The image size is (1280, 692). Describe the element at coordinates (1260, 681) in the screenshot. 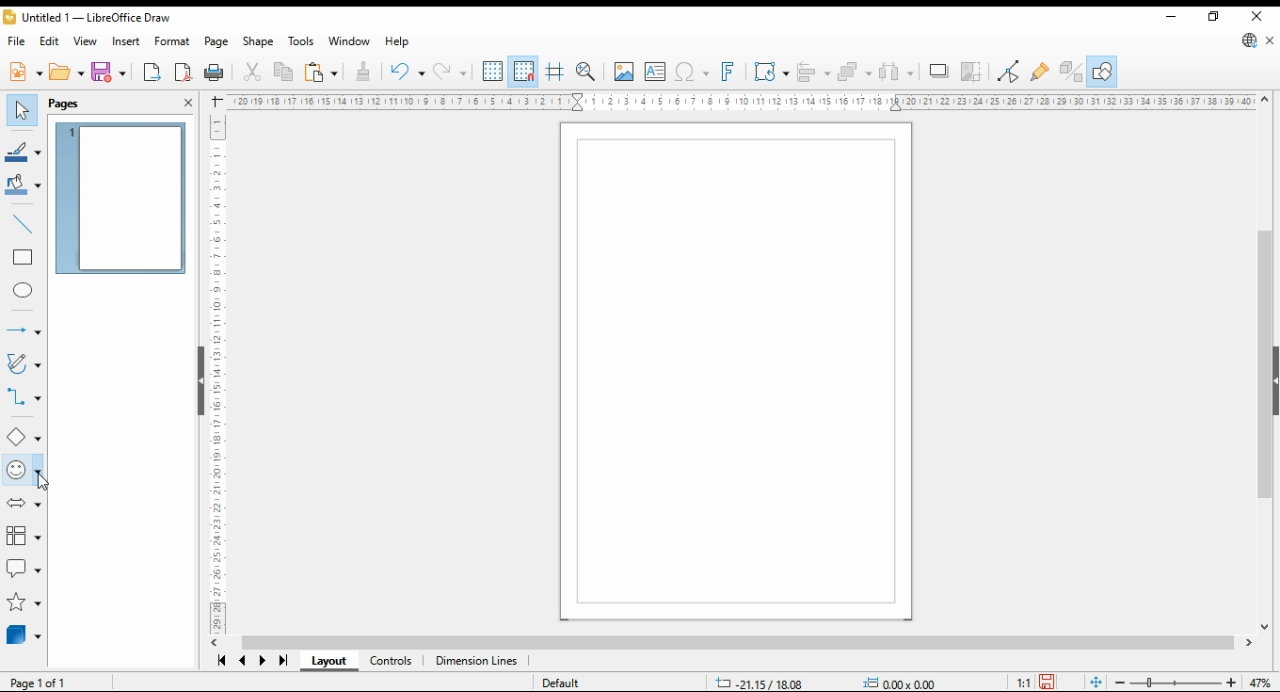

I see `zoom factor` at that location.